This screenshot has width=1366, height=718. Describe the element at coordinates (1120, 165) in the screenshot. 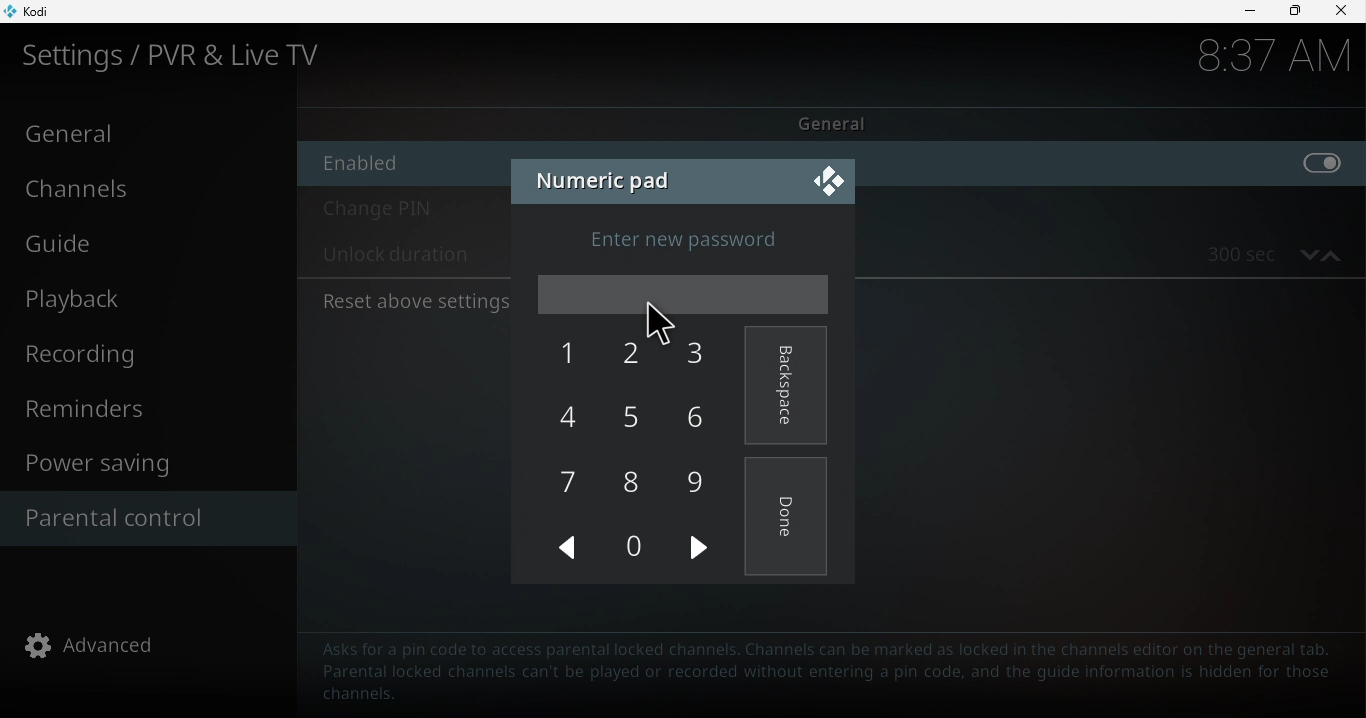

I see `enable` at that location.